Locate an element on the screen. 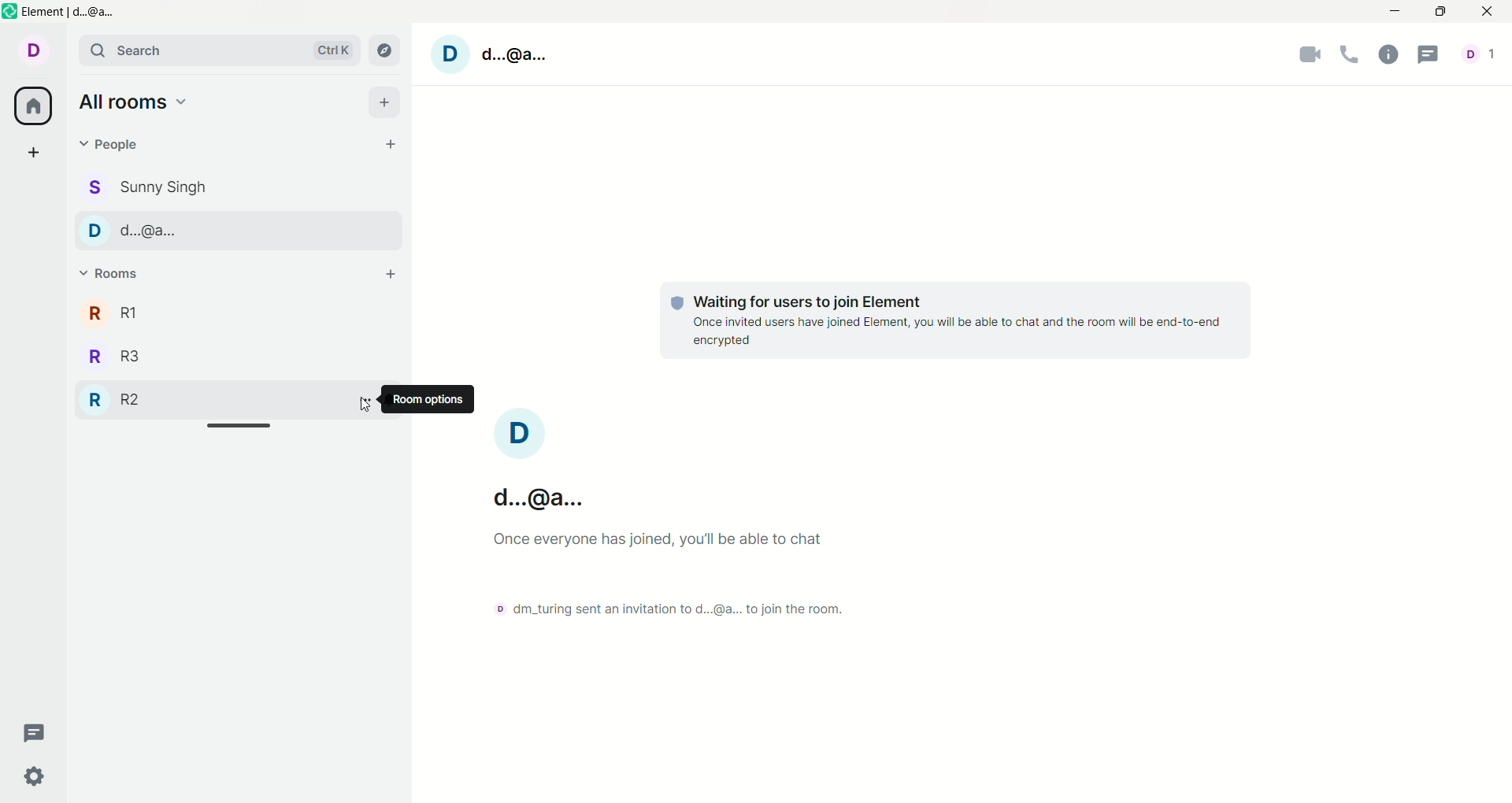  threads is located at coordinates (34, 732).